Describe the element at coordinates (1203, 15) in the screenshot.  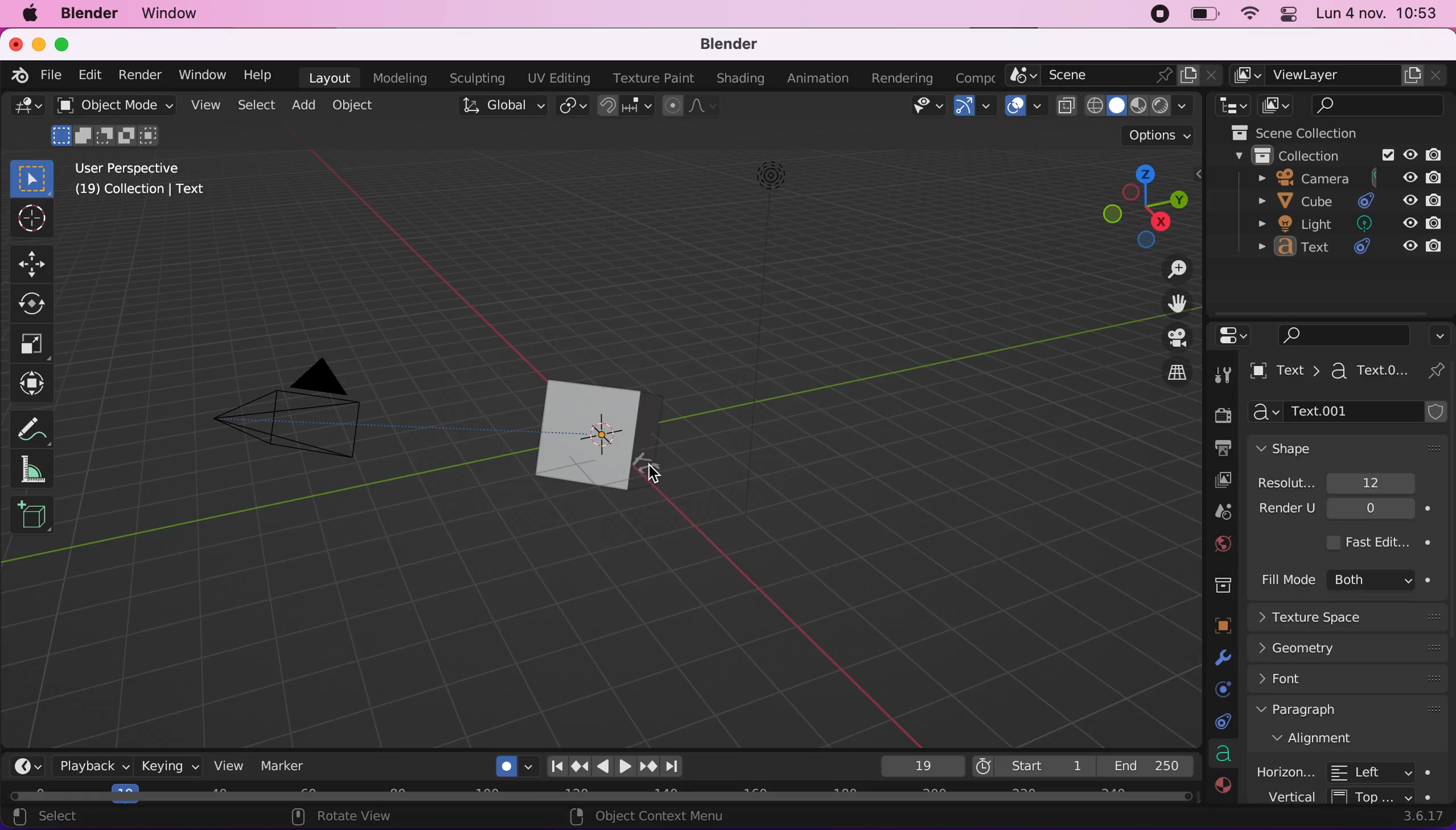
I see `battery` at that location.